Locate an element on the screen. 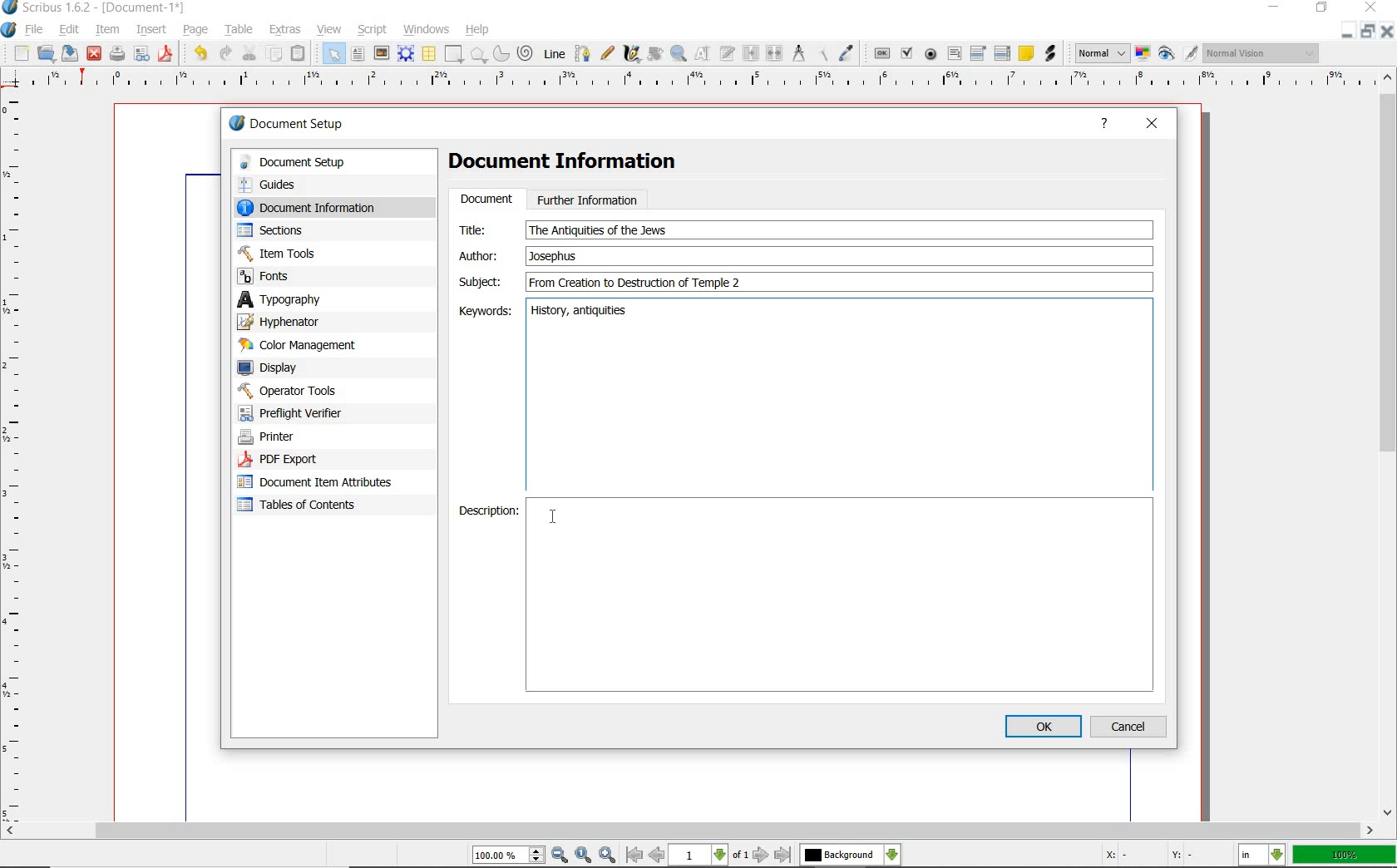 This screenshot has height=868, width=1397. paste is located at coordinates (301, 52).